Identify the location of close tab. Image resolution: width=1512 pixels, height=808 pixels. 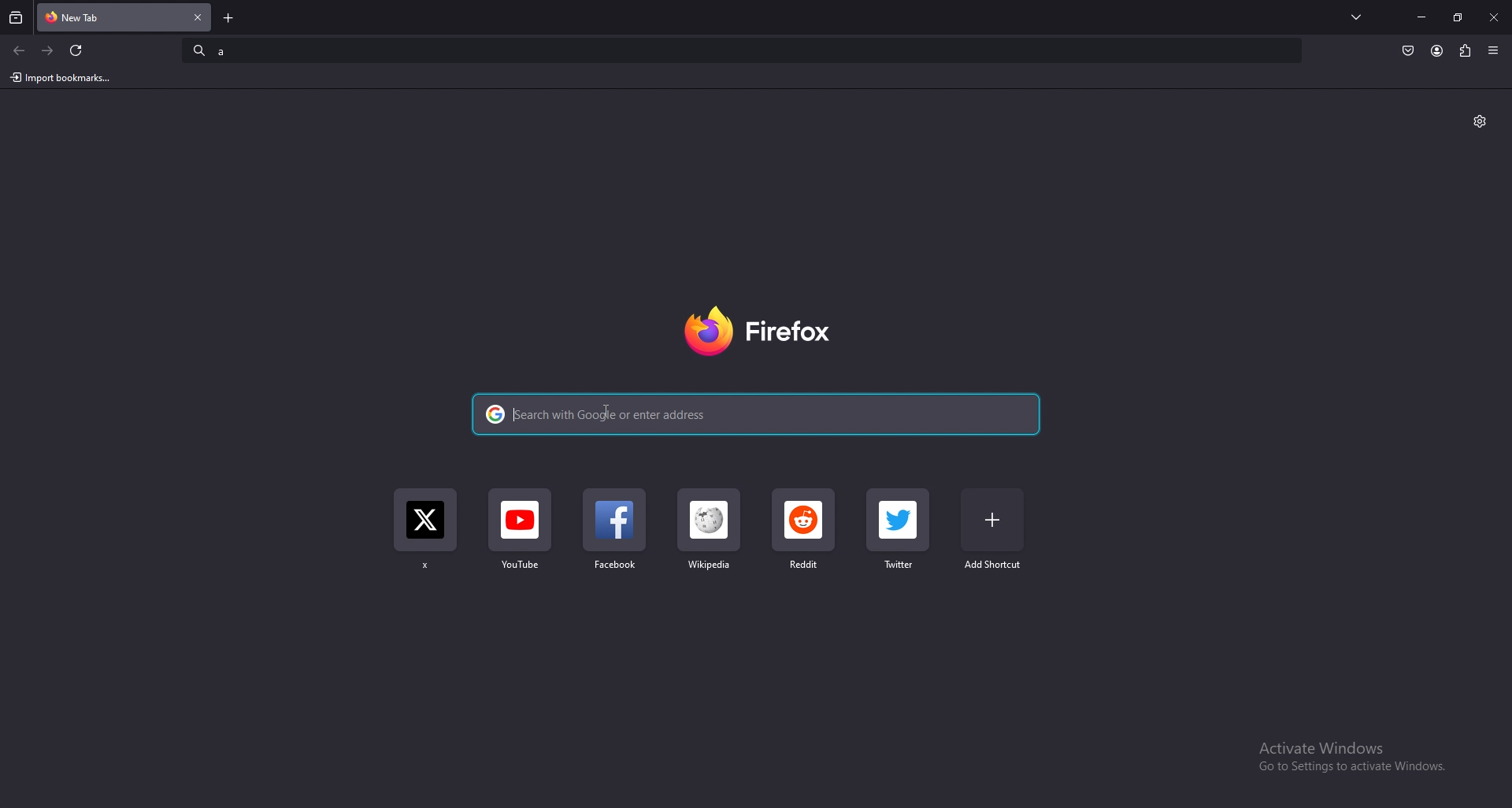
(197, 17).